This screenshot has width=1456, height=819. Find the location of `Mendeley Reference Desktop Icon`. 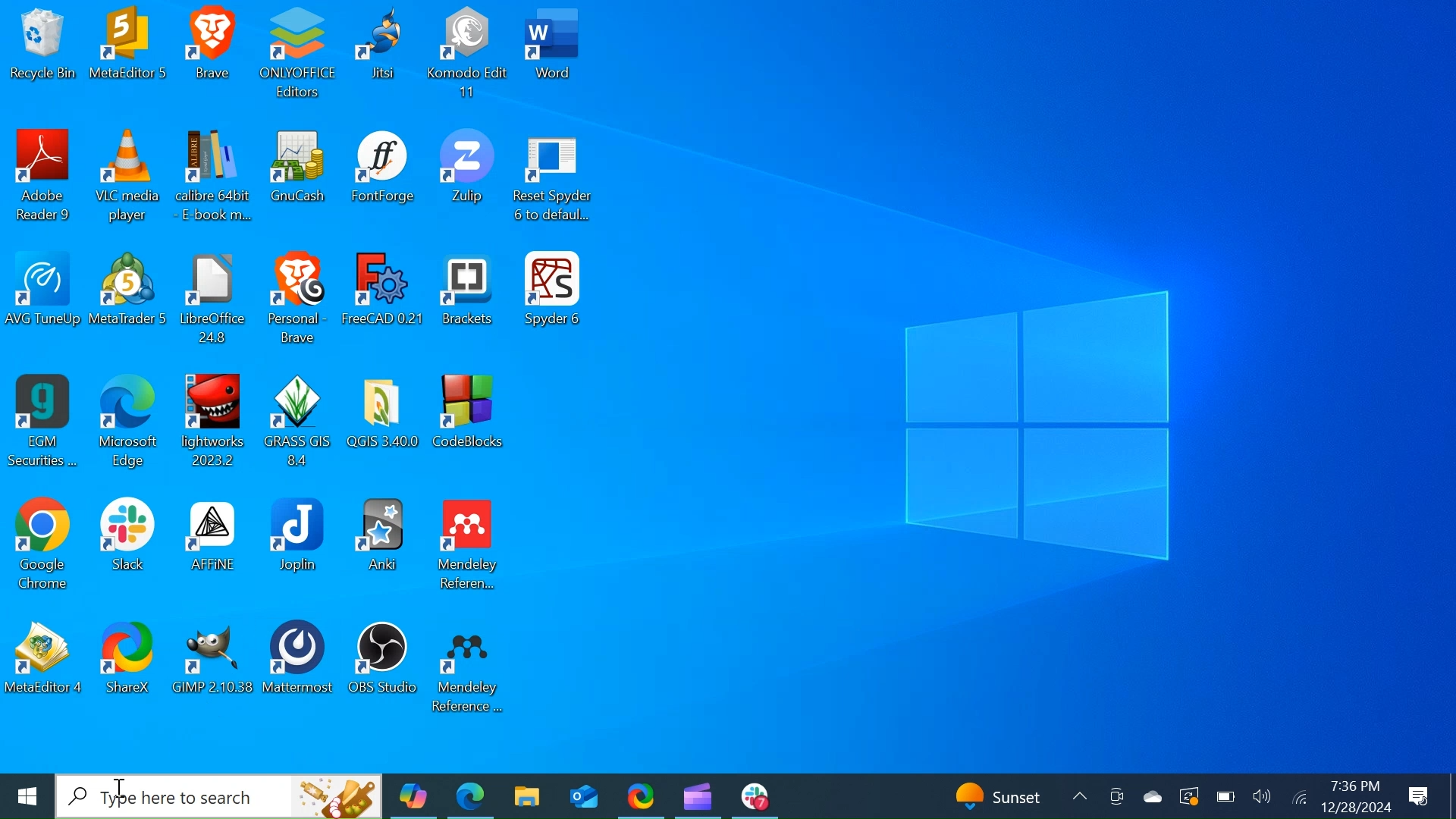

Mendeley Reference Desktop Icon is located at coordinates (470, 545).